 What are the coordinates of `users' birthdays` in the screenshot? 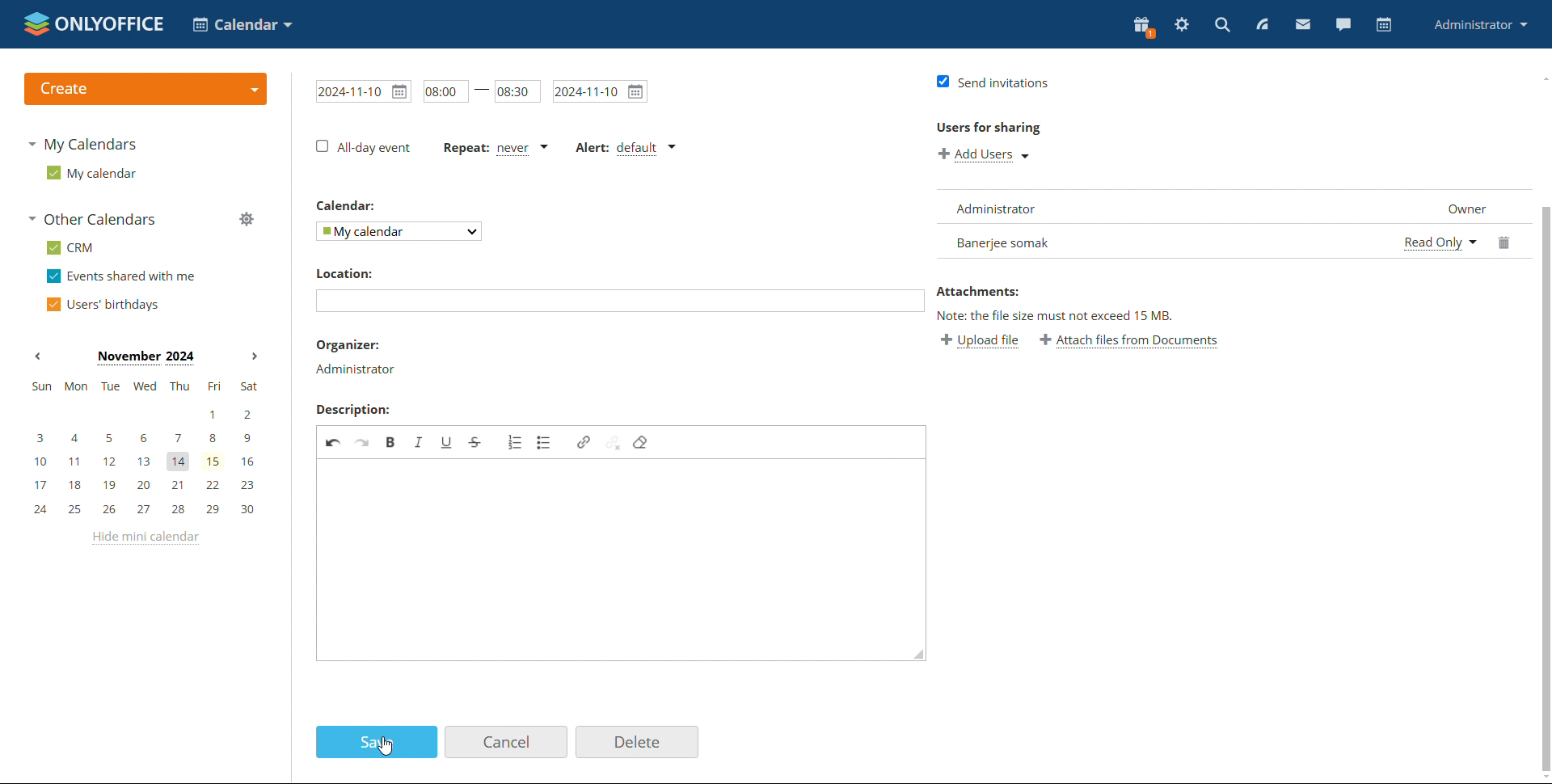 It's located at (102, 304).